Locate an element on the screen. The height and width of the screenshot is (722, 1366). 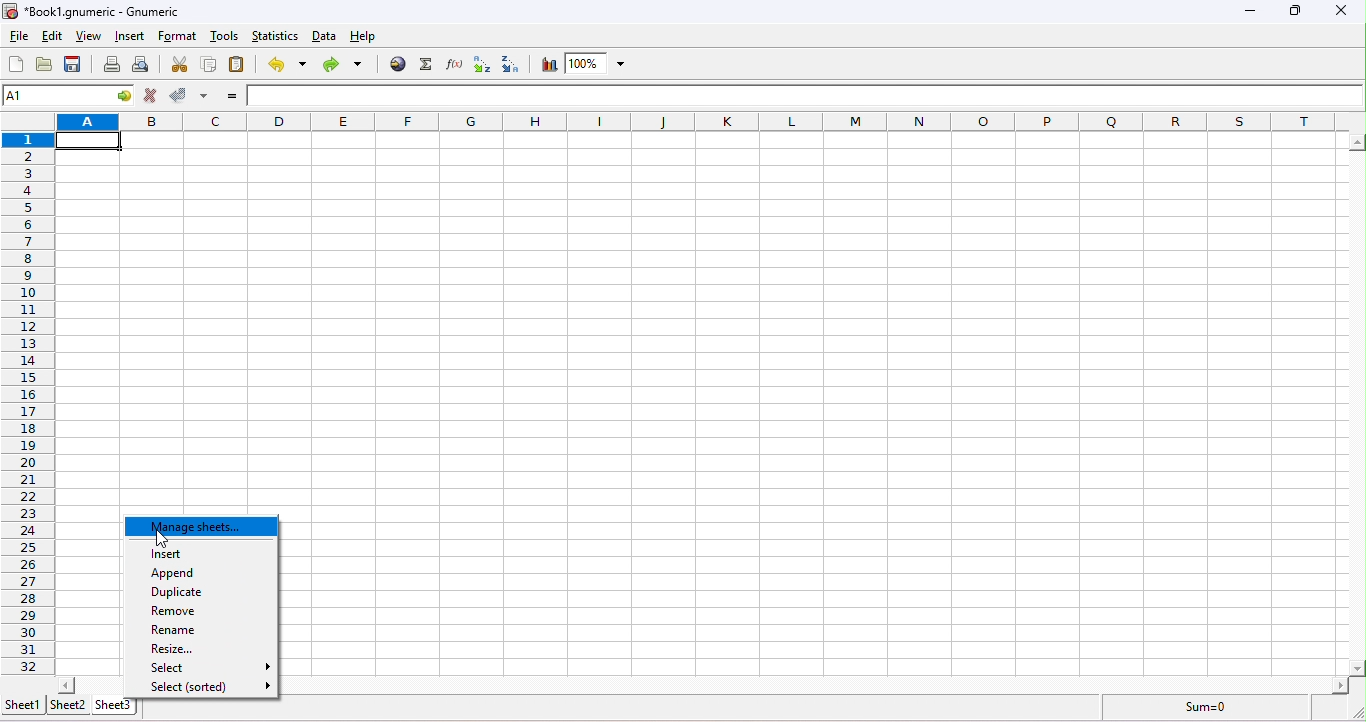
close is located at coordinates (1348, 9).